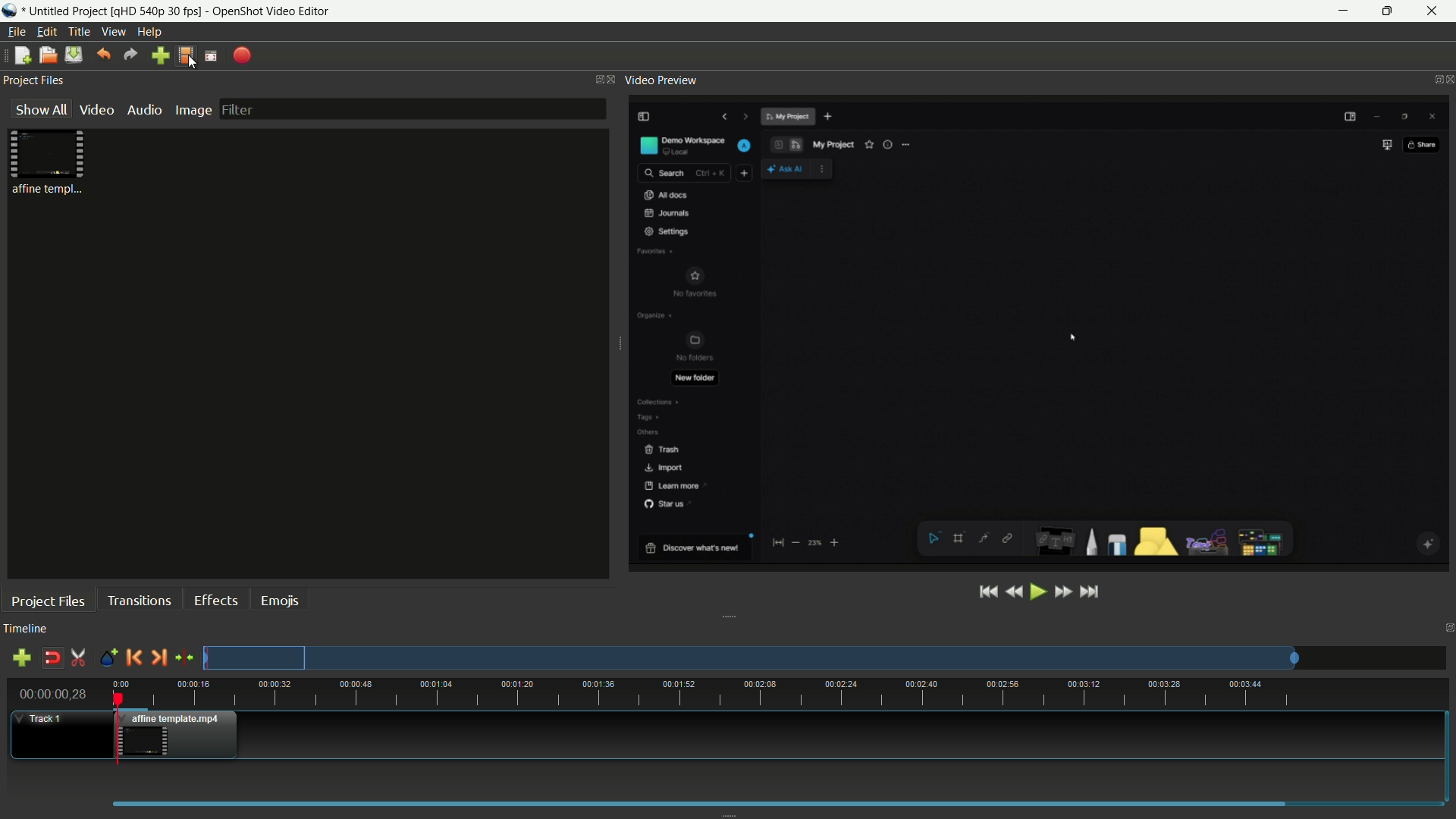 The width and height of the screenshot is (1456, 819). Describe the element at coordinates (139, 600) in the screenshot. I see `transitions` at that location.